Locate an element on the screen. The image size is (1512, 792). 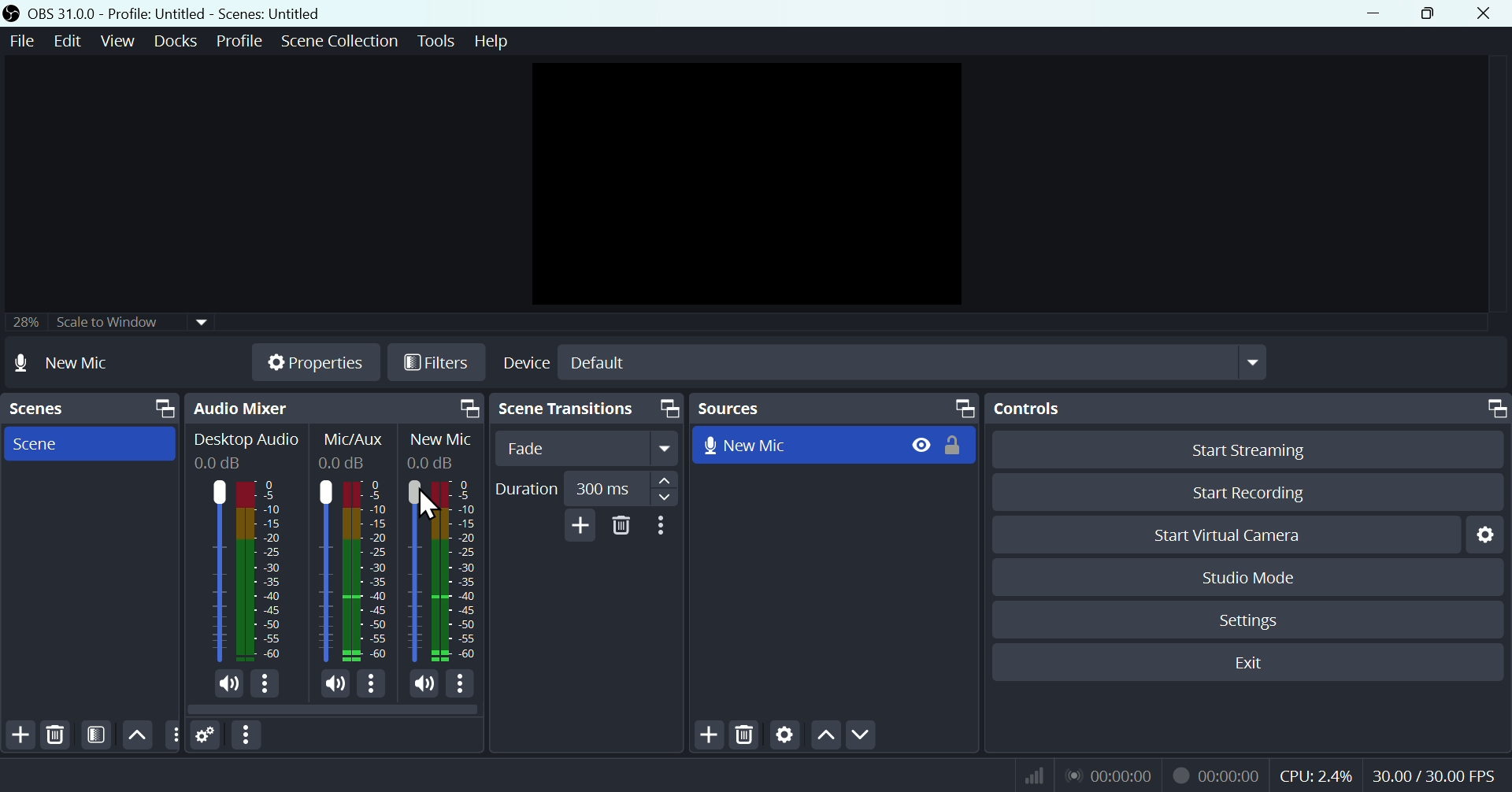
 is located at coordinates (172, 735).